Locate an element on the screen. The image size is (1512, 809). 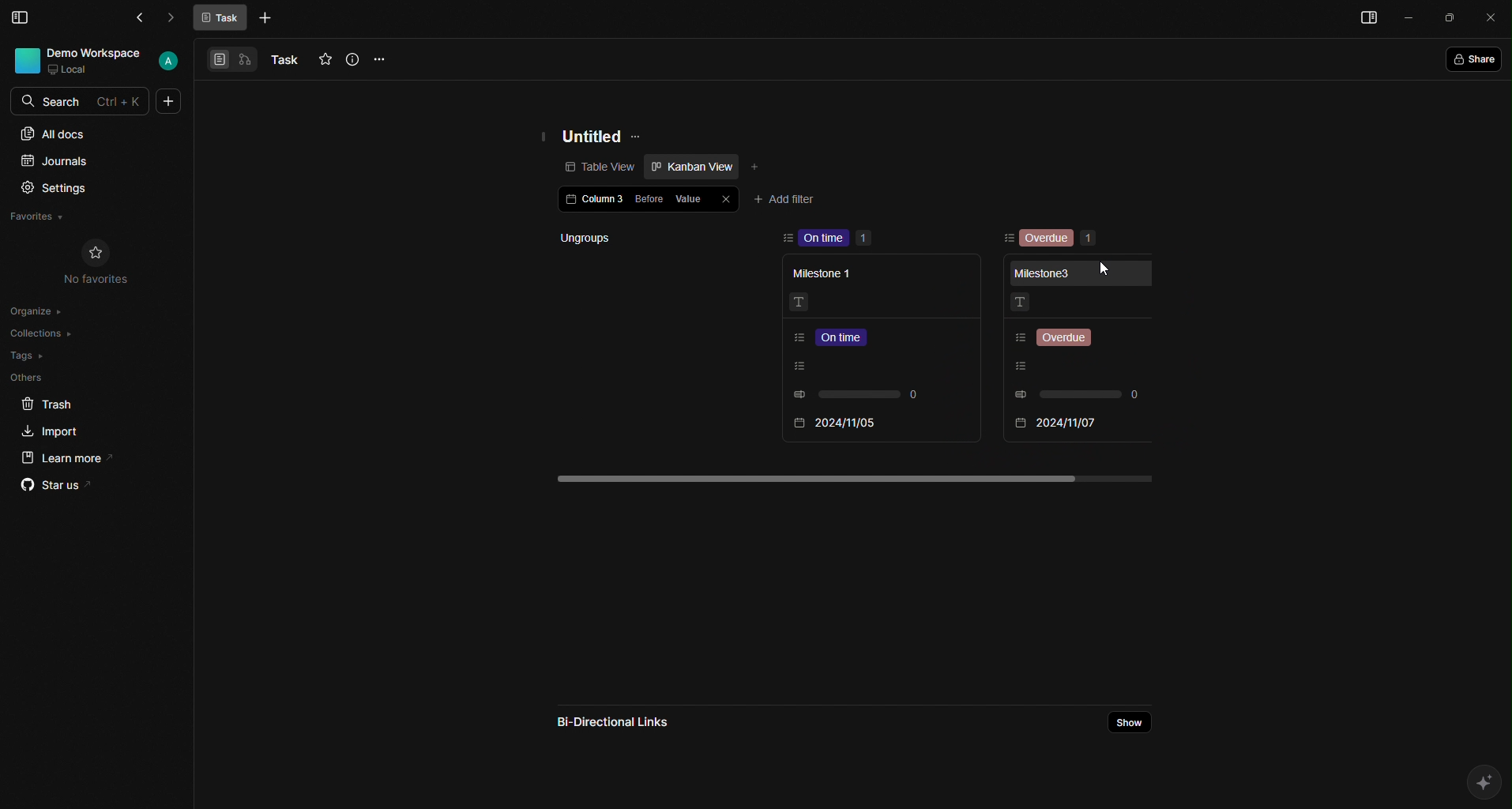
View 1 is located at coordinates (215, 58).